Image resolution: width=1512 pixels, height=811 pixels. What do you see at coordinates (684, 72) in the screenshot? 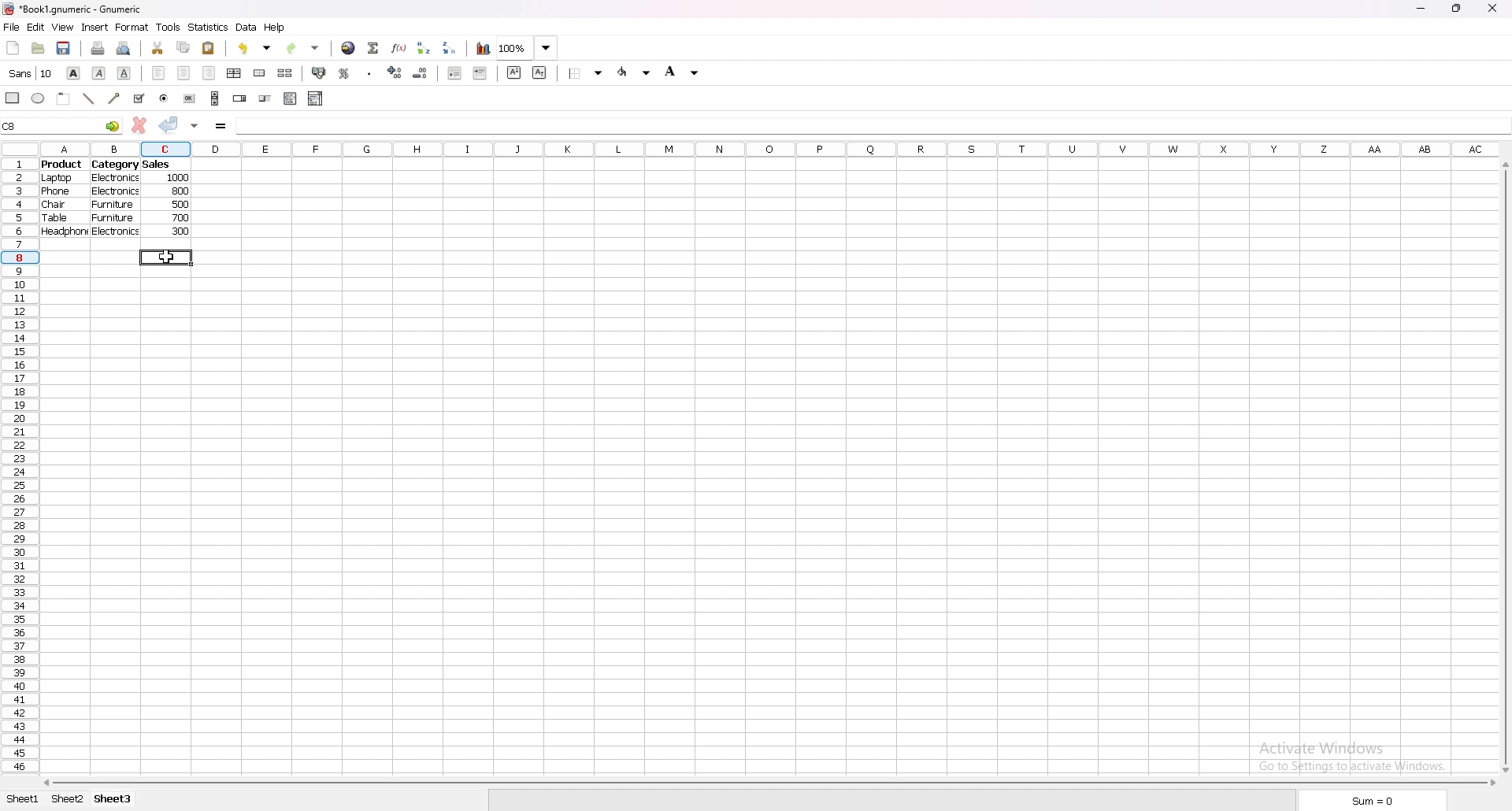
I see `background` at bounding box center [684, 72].